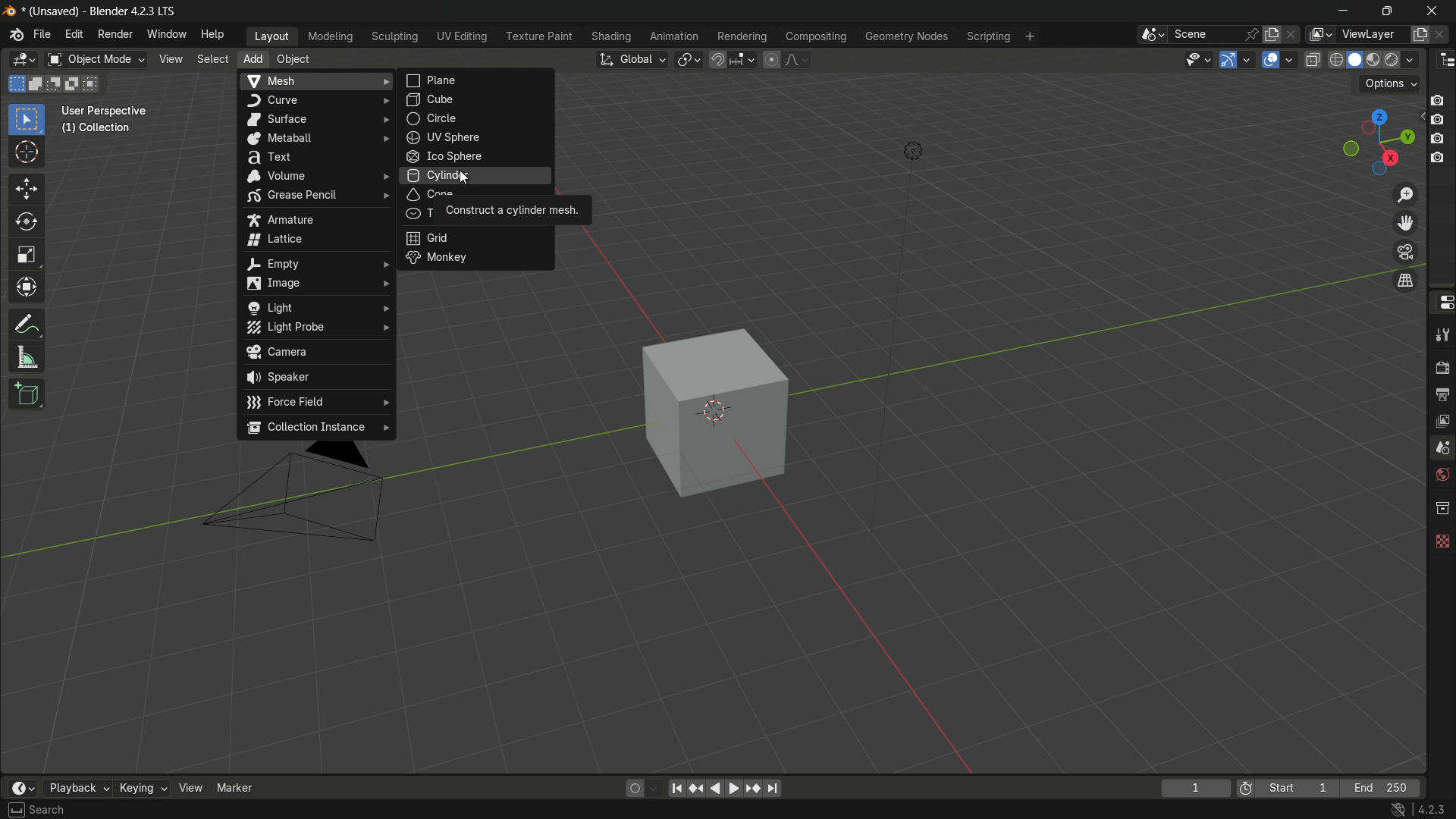 The image size is (1456, 819). Describe the element at coordinates (540, 36) in the screenshot. I see `texture paint menu` at that location.